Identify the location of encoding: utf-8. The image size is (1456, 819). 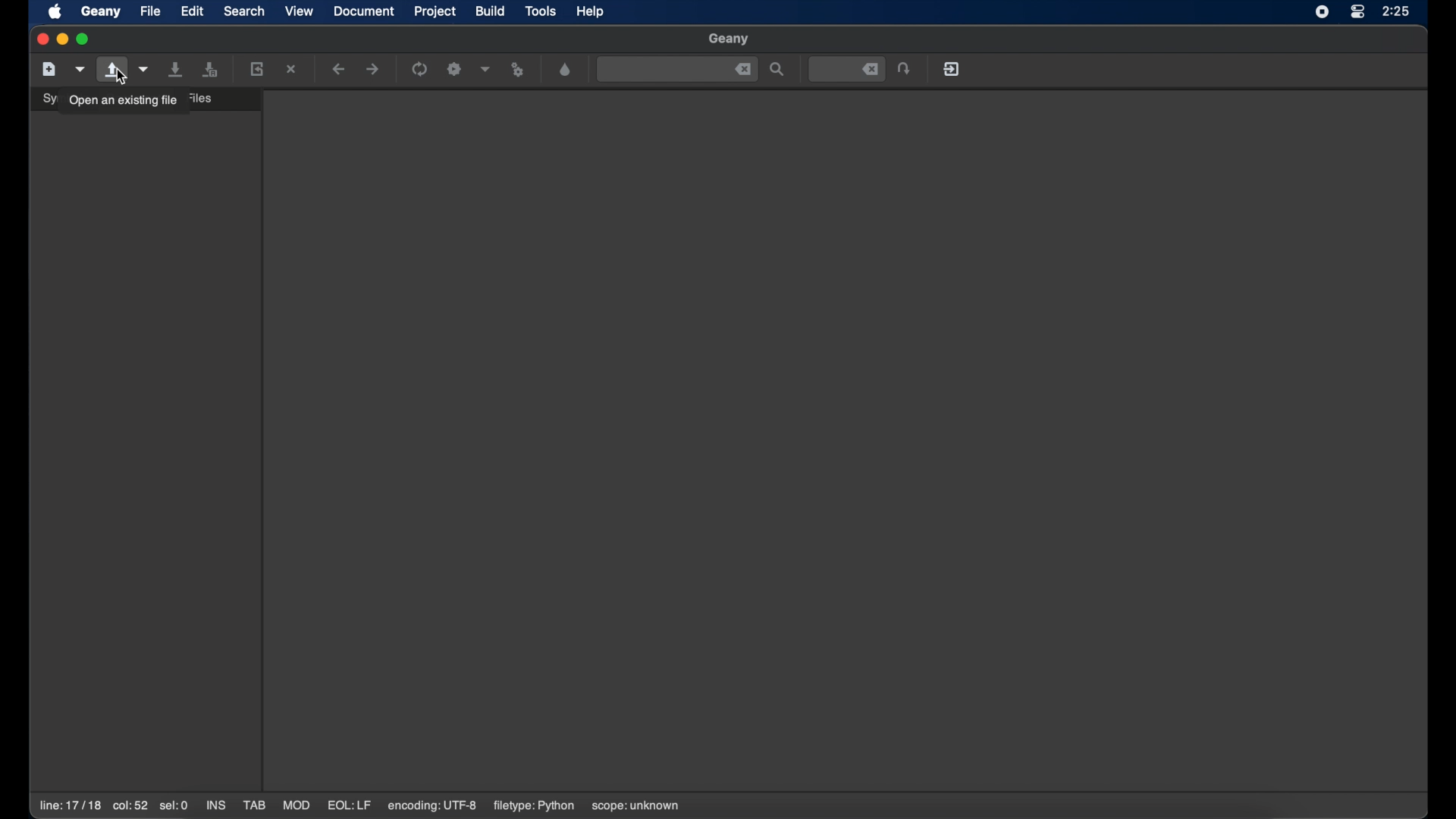
(433, 805).